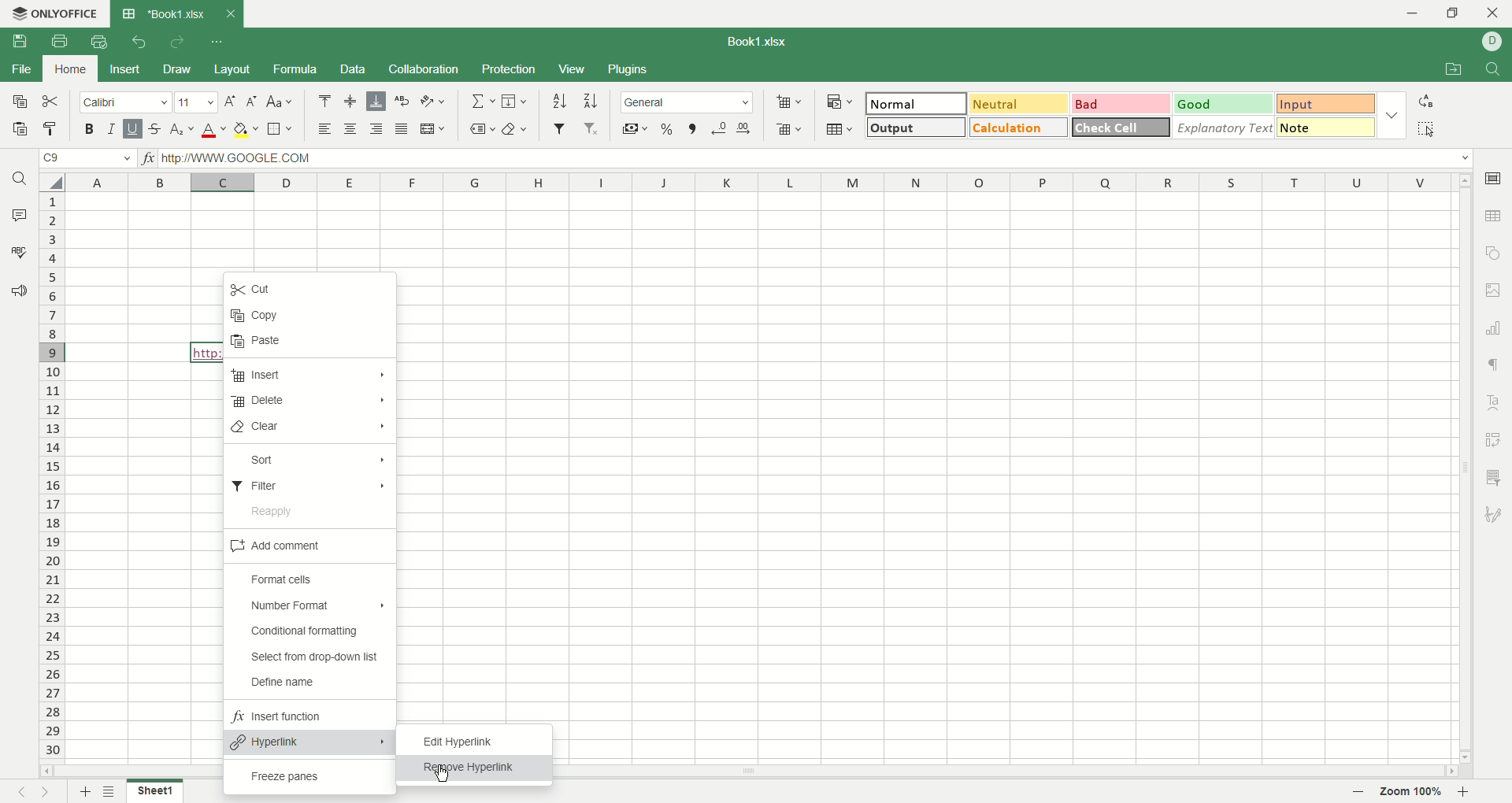 The width and height of the screenshot is (1512, 803). What do you see at coordinates (374, 128) in the screenshot?
I see `align right` at bounding box center [374, 128].